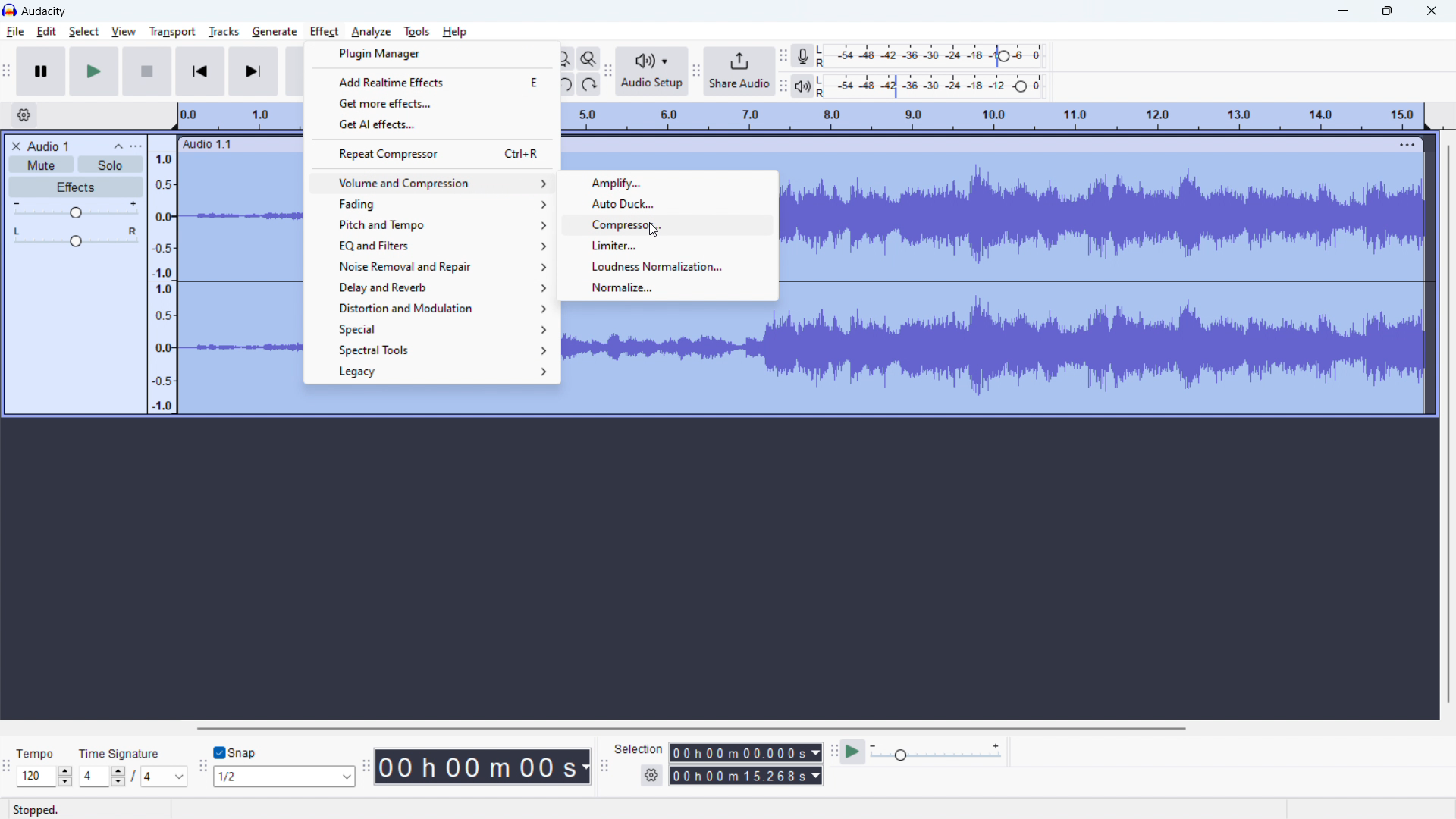 This screenshot has height=819, width=1456. I want to click on effects, so click(75, 187).